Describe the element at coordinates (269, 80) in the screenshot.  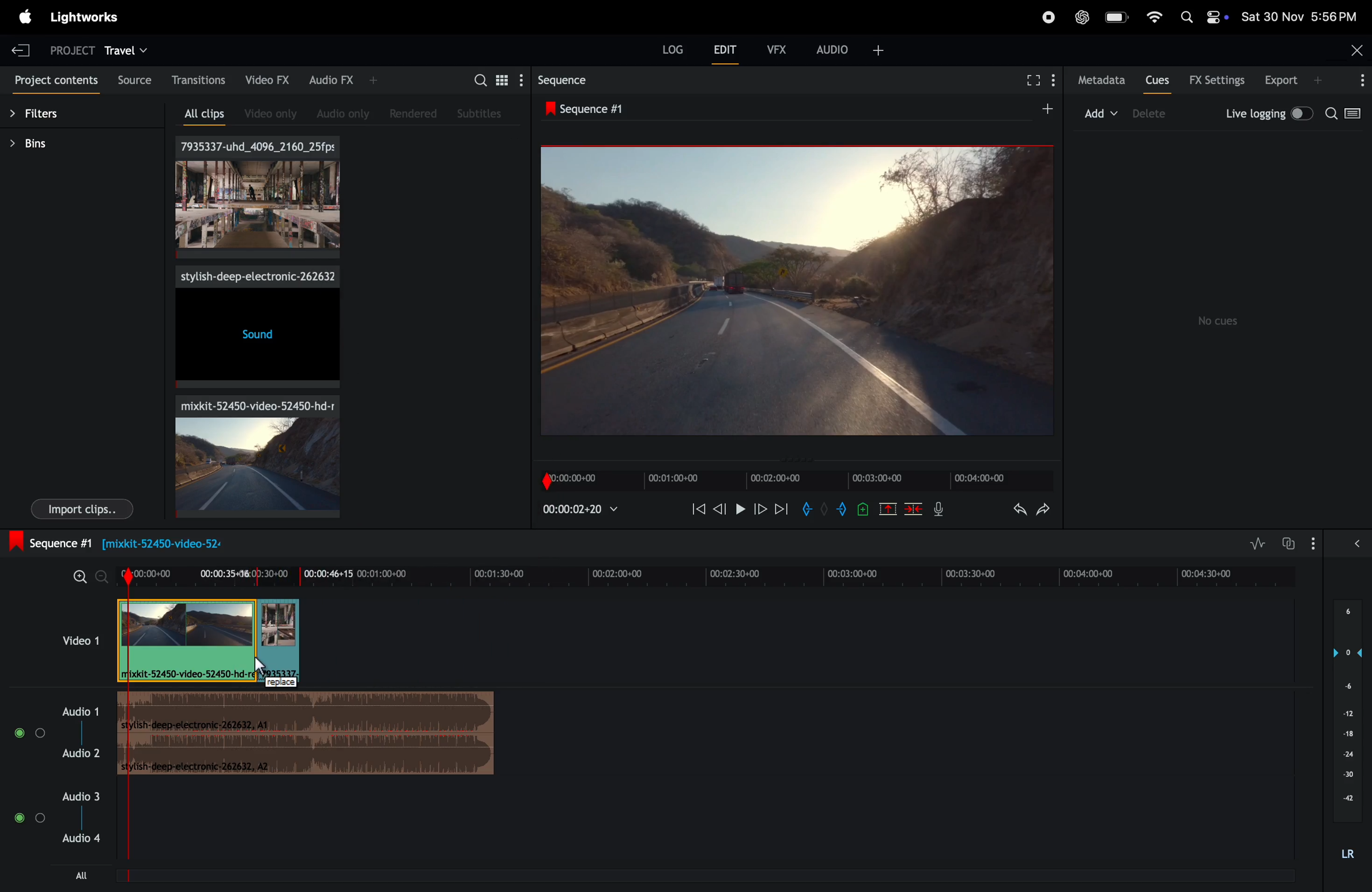
I see `video fx` at that location.